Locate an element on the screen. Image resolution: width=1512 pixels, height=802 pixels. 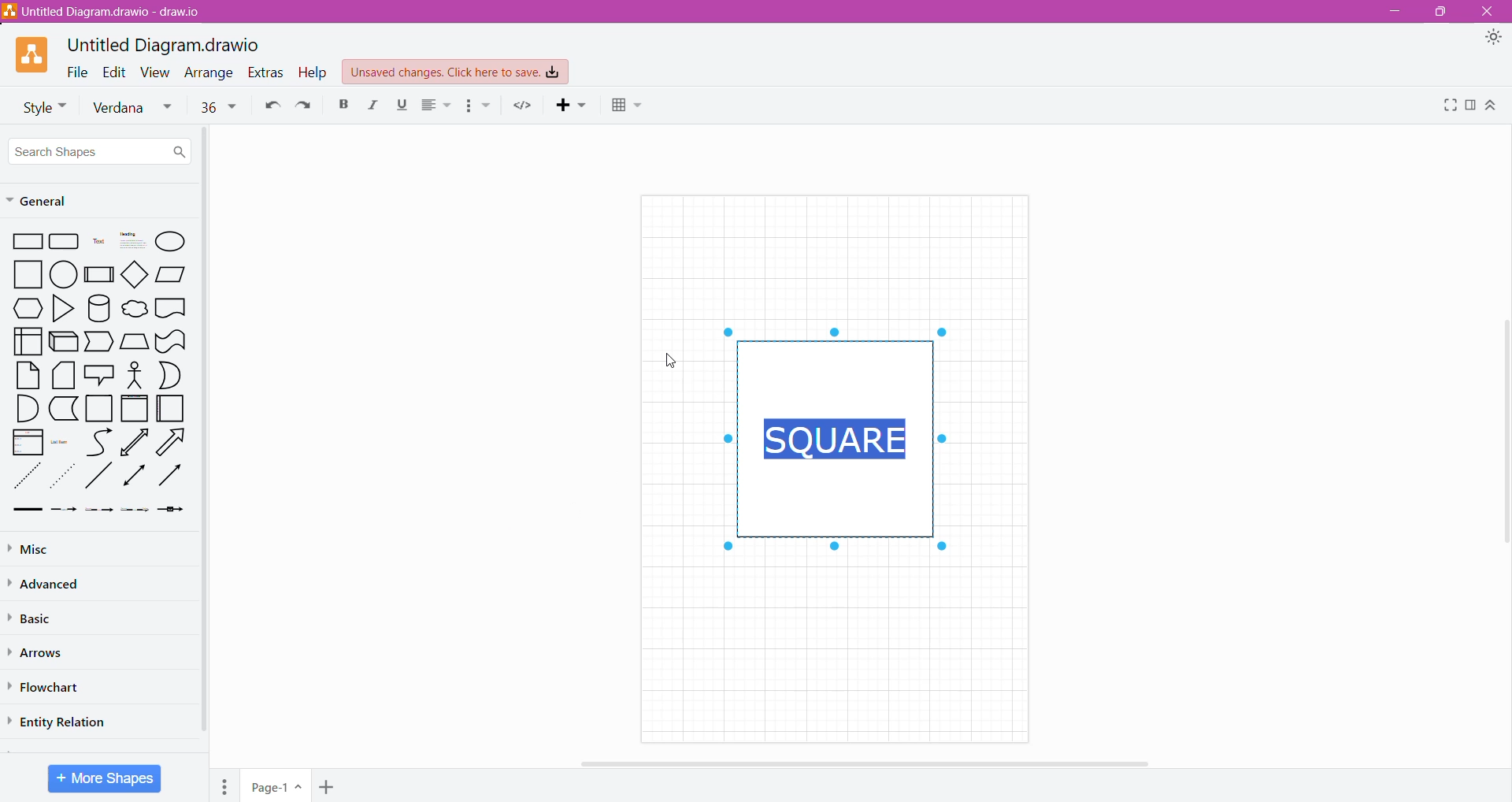
Redo is located at coordinates (306, 108).